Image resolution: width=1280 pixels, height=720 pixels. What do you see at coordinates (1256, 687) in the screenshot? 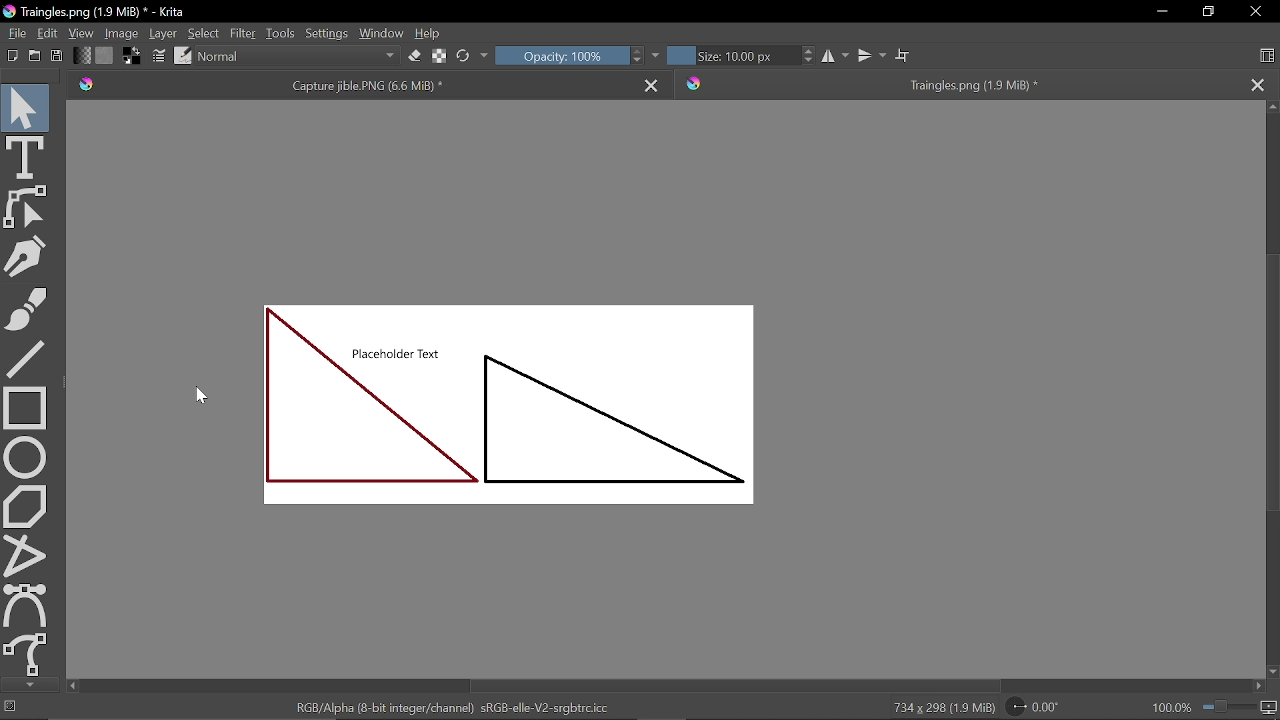
I see `Move right` at bounding box center [1256, 687].